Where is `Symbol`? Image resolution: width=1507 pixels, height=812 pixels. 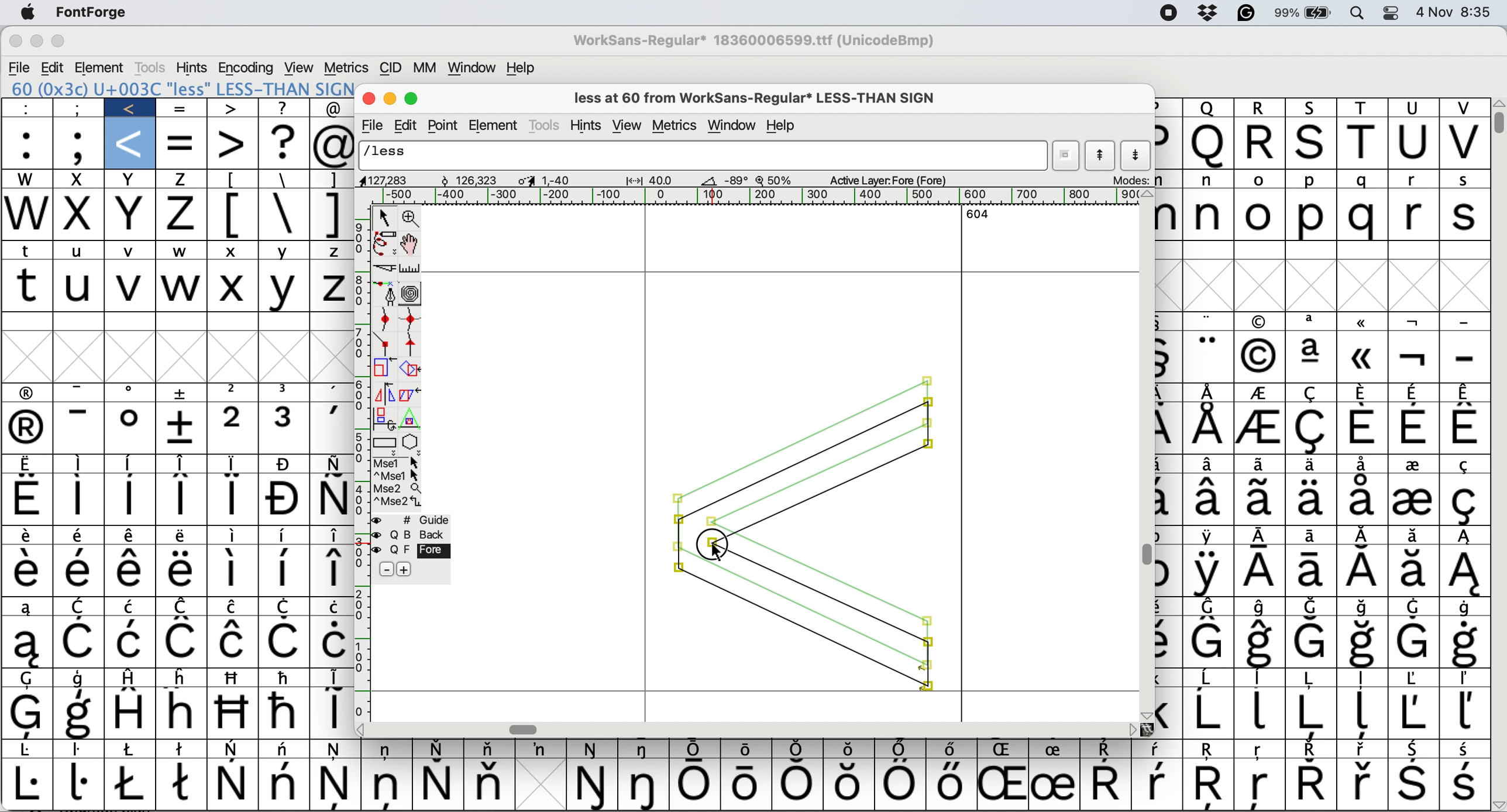 Symbol is located at coordinates (648, 750).